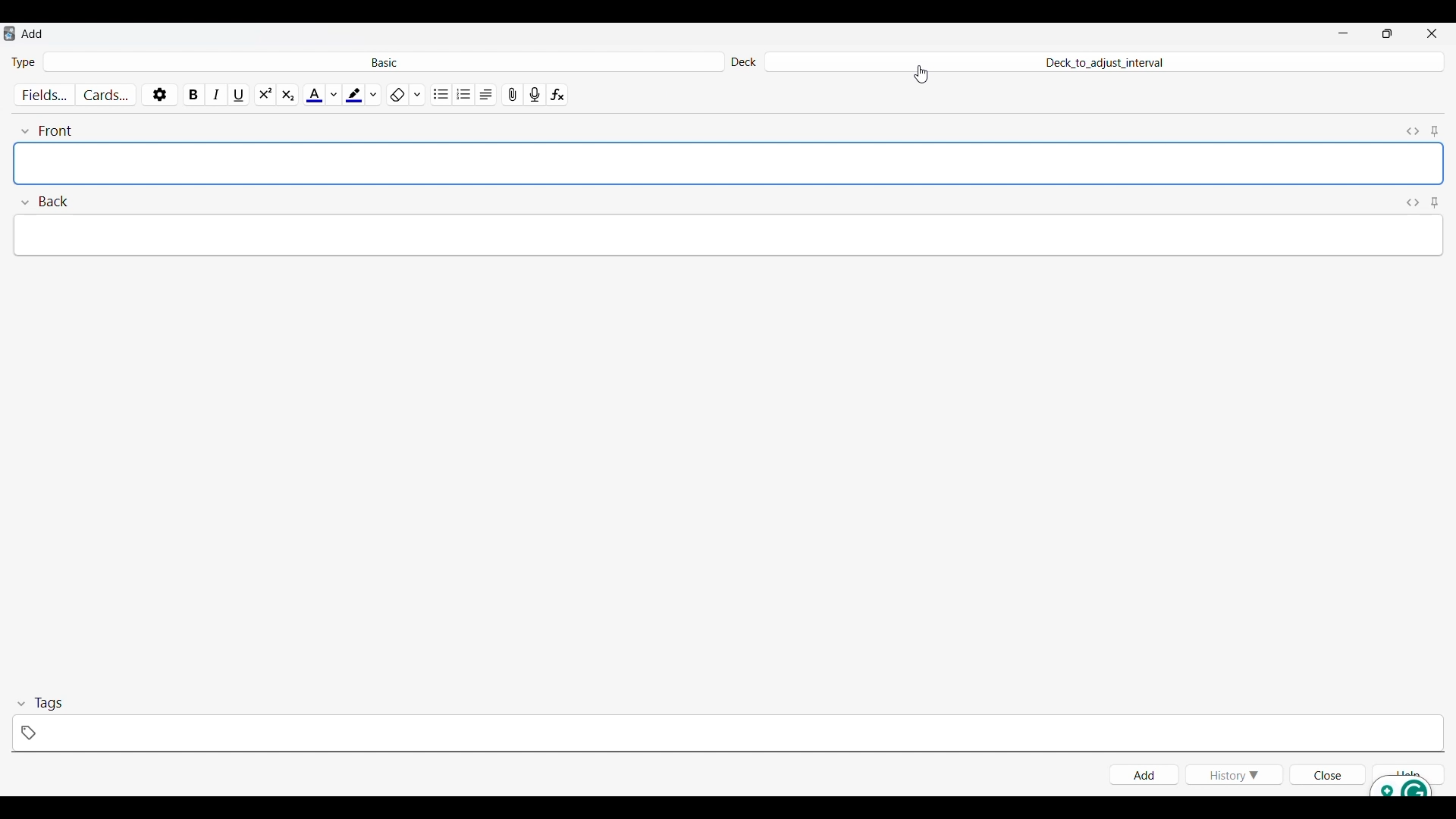 The image size is (1456, 819). Describe the element at coordinates (287, 95) in the screenshot. I see `Sub script` at that location.